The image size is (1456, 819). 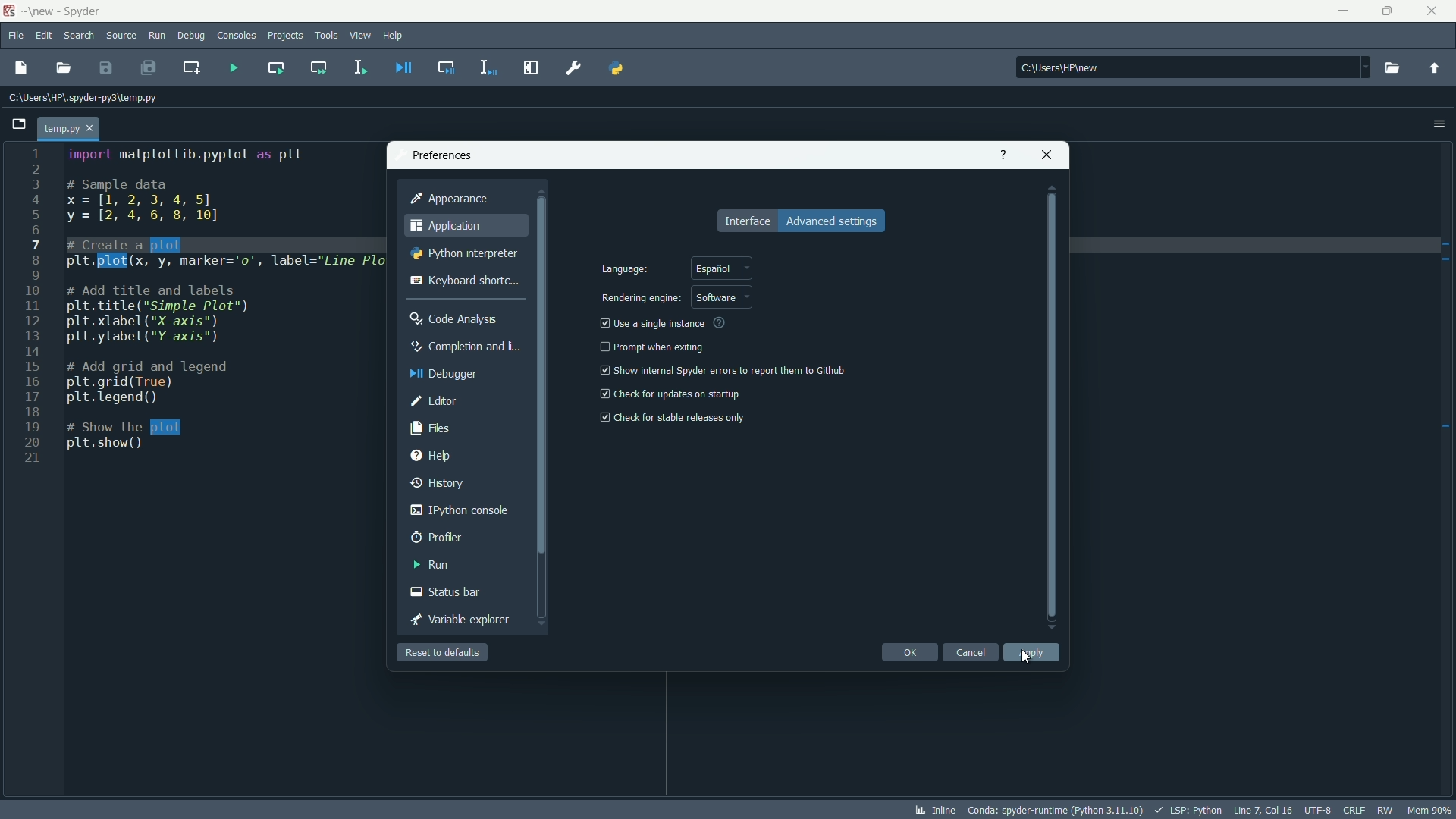 I want to click on pythonpath manager, so click(x=615, y=67).